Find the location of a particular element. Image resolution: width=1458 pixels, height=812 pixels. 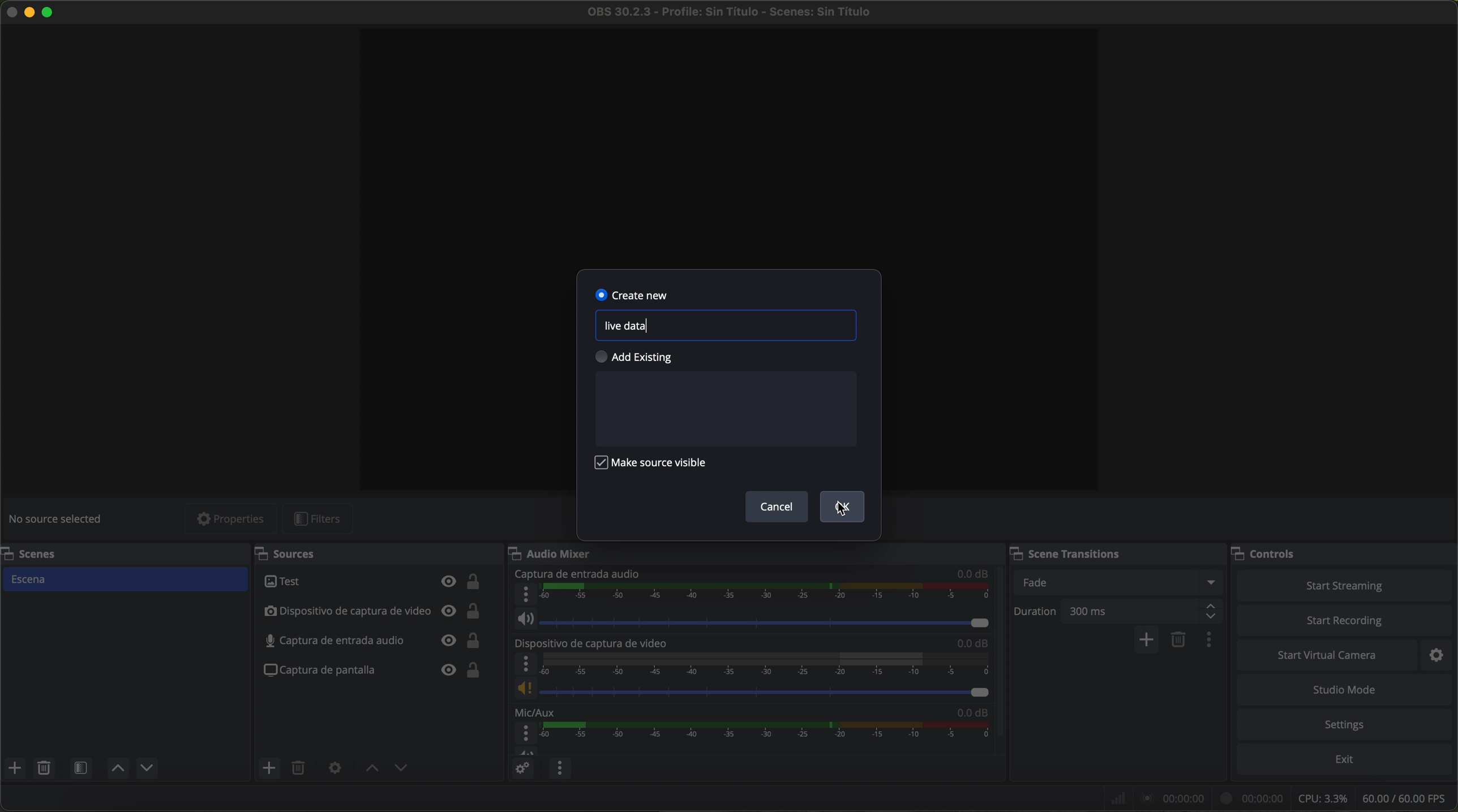

close program is located at coordinates (9, 14).